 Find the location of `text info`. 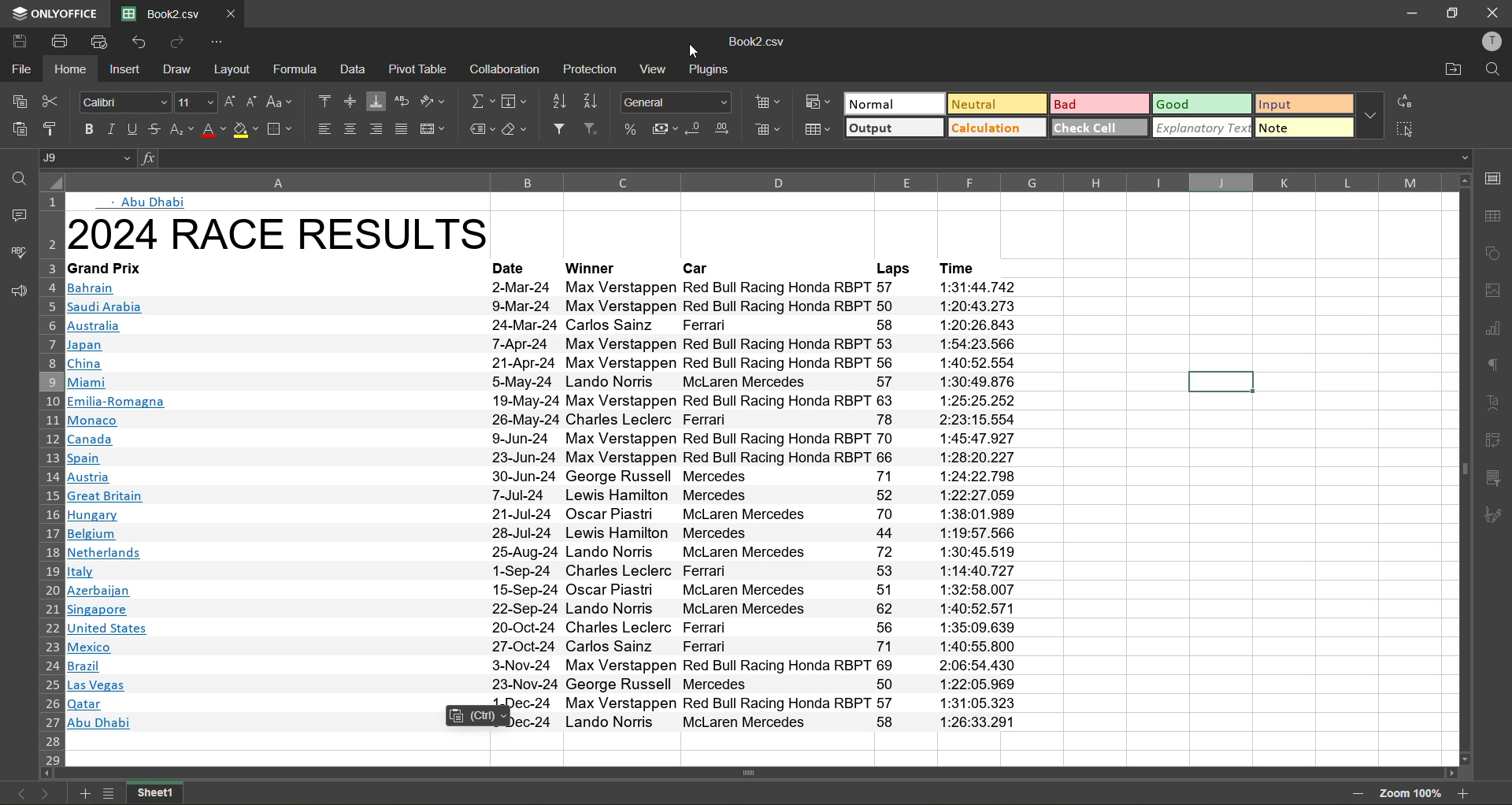

text info is located at coordinates (547, 704).